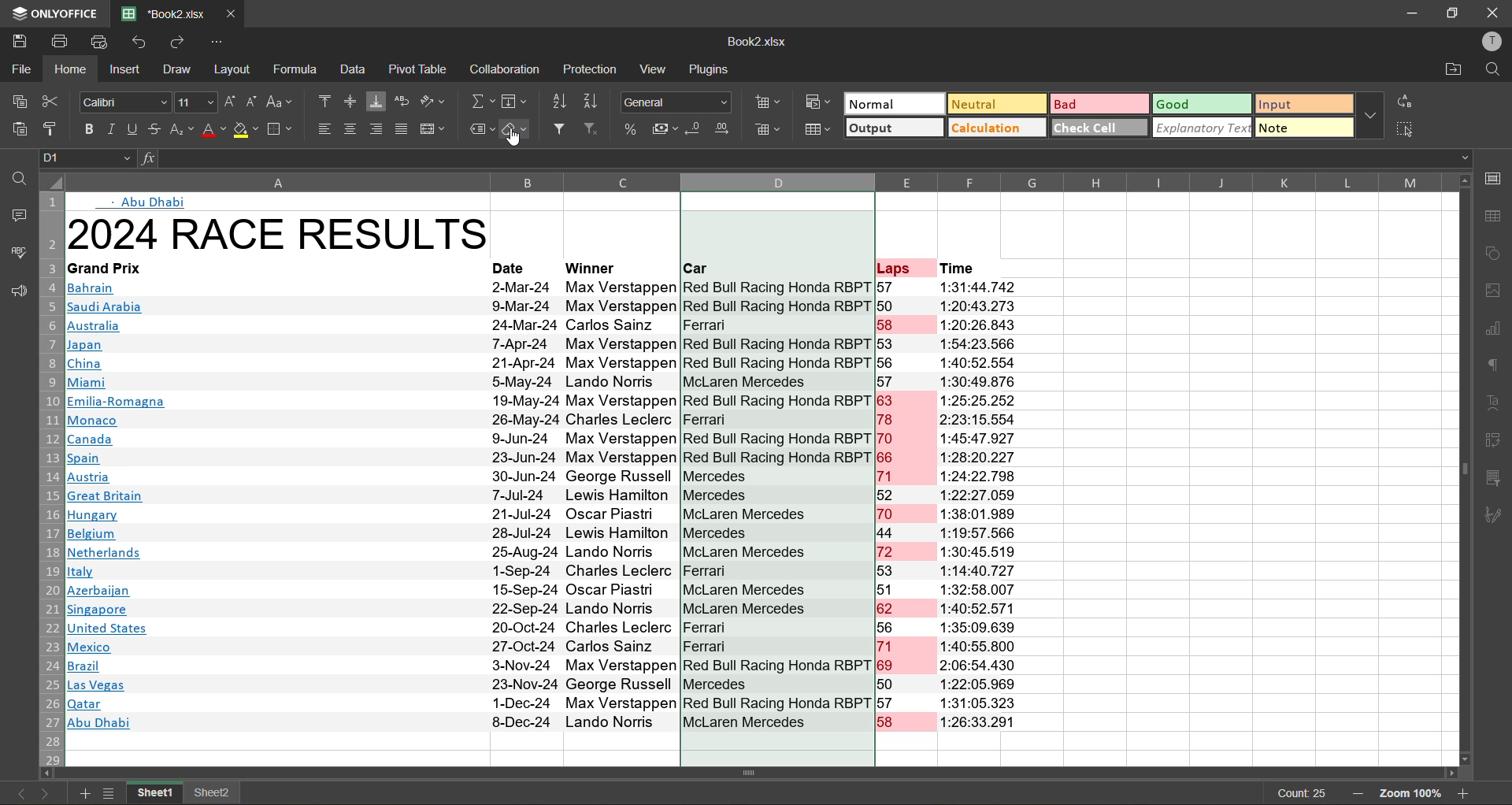 The image size is (1512, 805). I want to click on decrease decimal, so click(693, 129).